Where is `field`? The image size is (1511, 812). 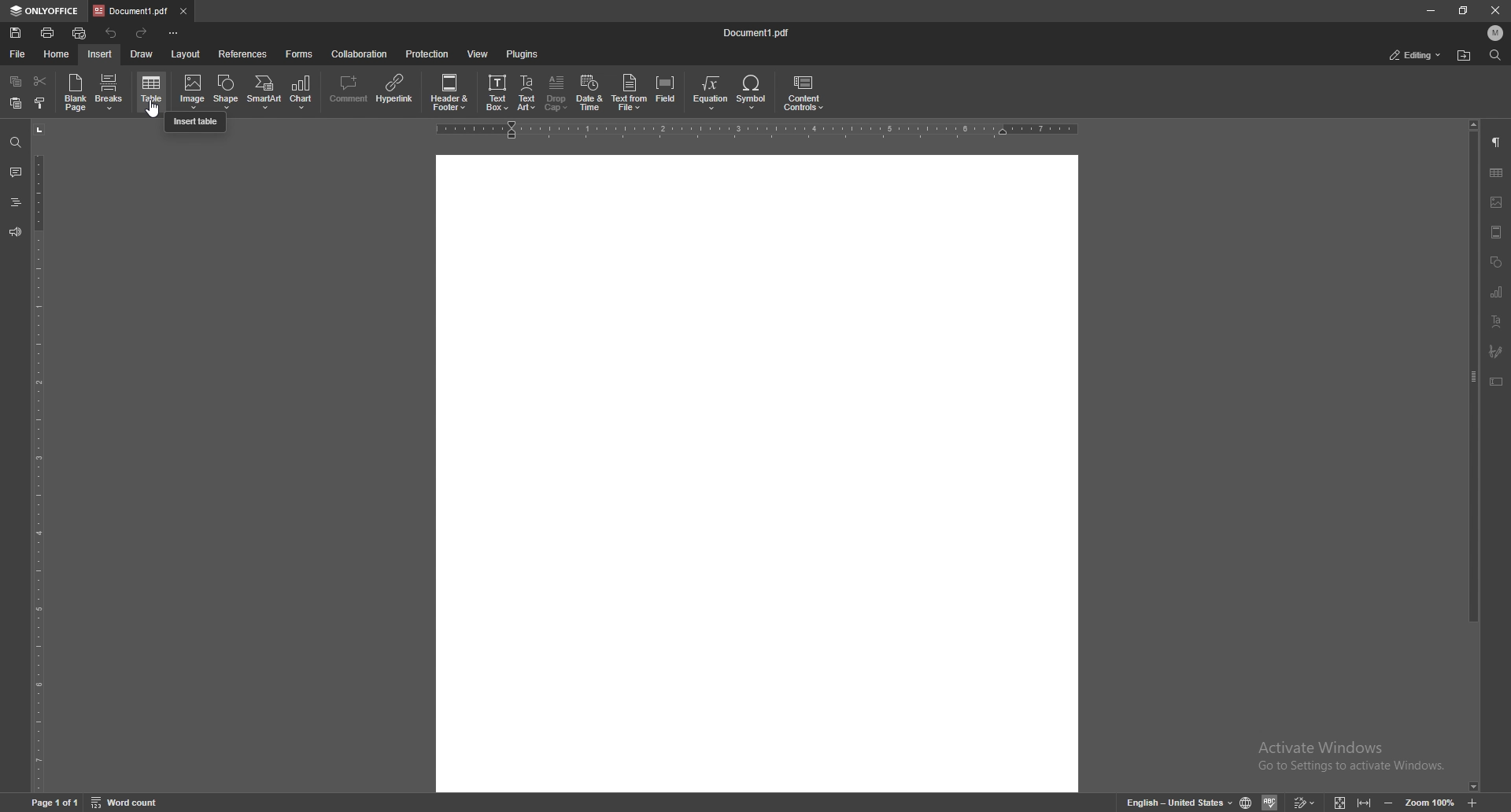 field is located at coordinates (667, 94).